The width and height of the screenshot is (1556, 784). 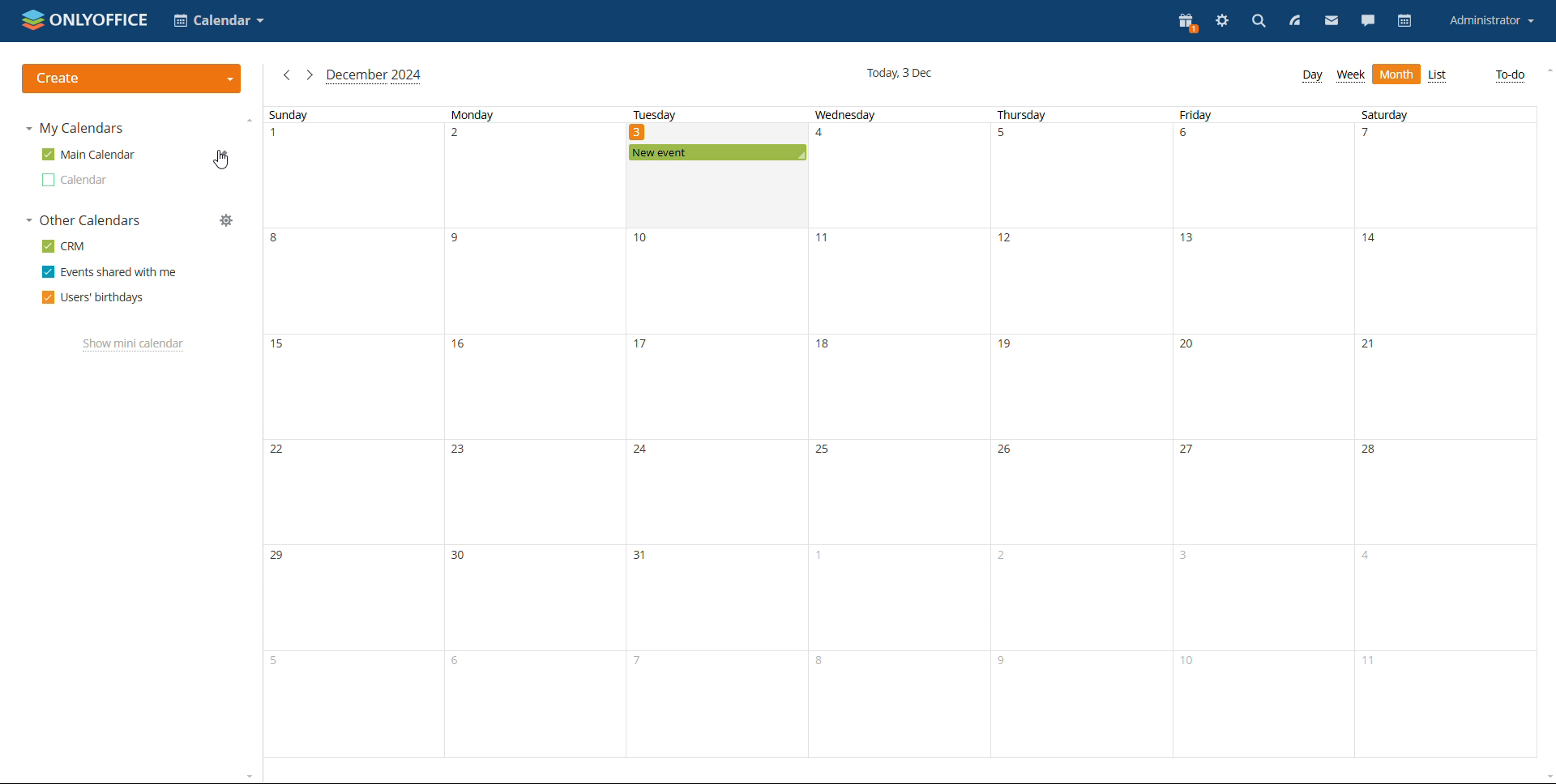 What do you see at coordinates (531, 177) in the screenshot?
I see `date` at bounding box center [531, 177].